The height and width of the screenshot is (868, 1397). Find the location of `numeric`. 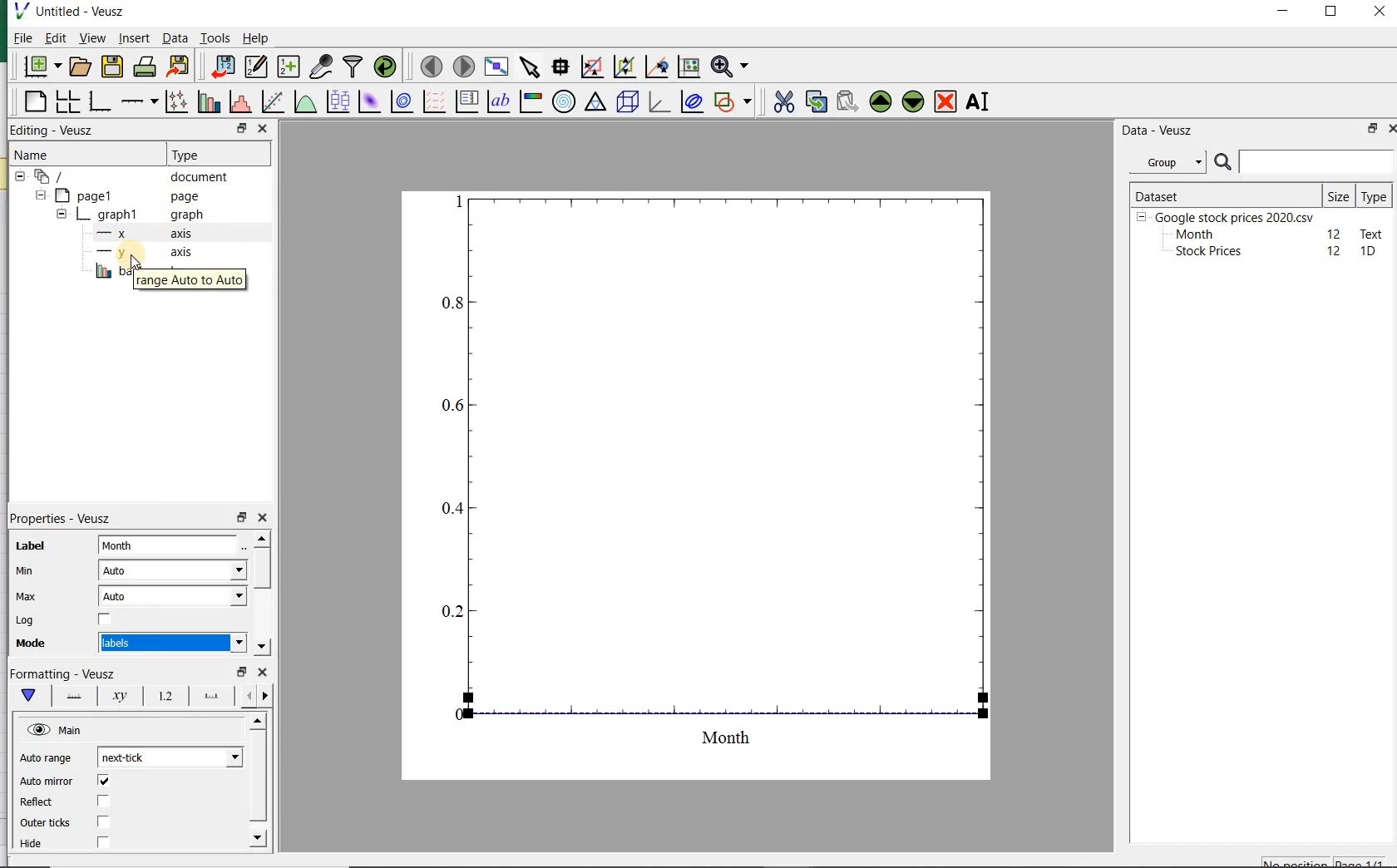

numeric is located at coordinates (170, 643).